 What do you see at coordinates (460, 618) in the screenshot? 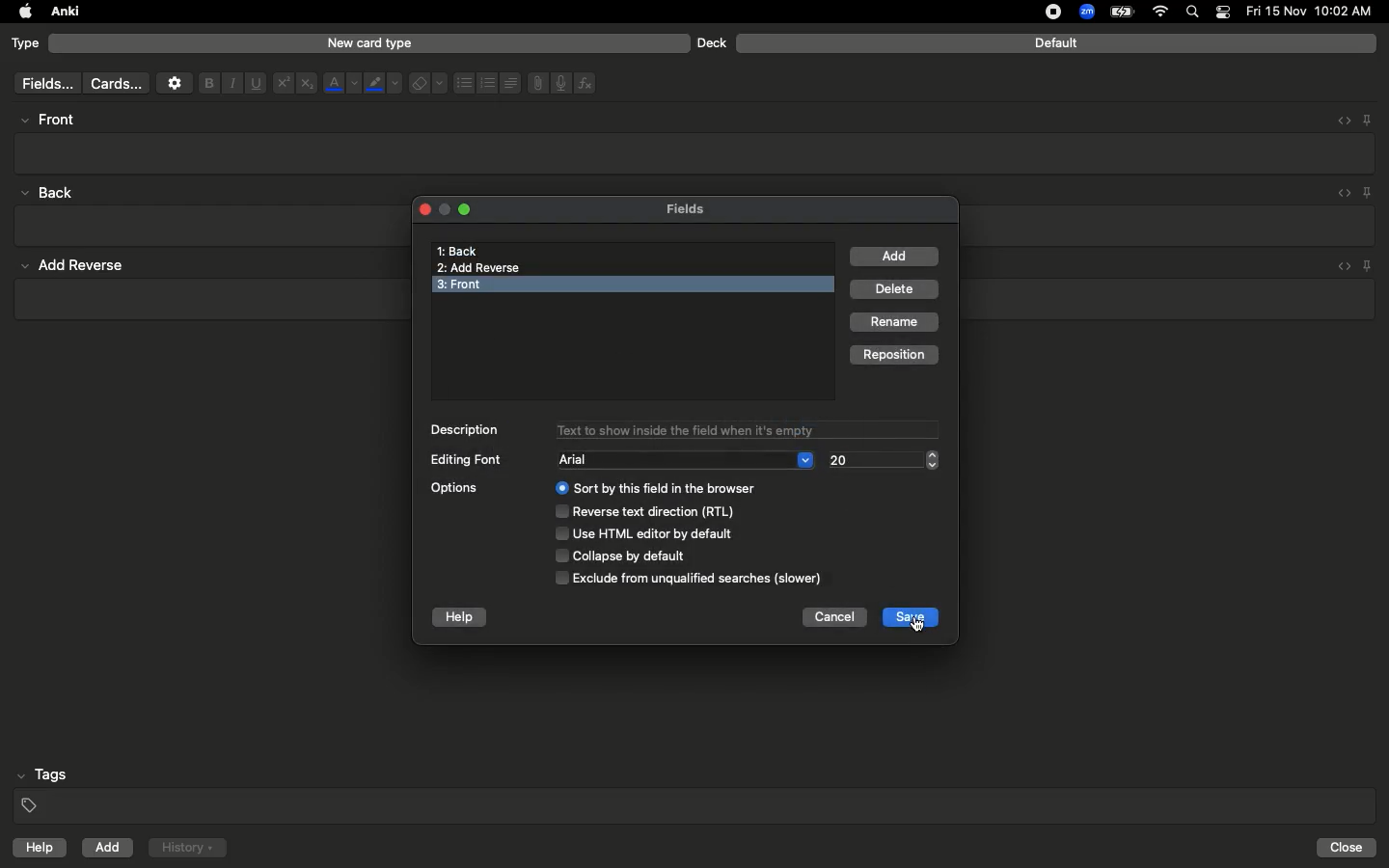
I see `help` at bounding box center [460, 618].